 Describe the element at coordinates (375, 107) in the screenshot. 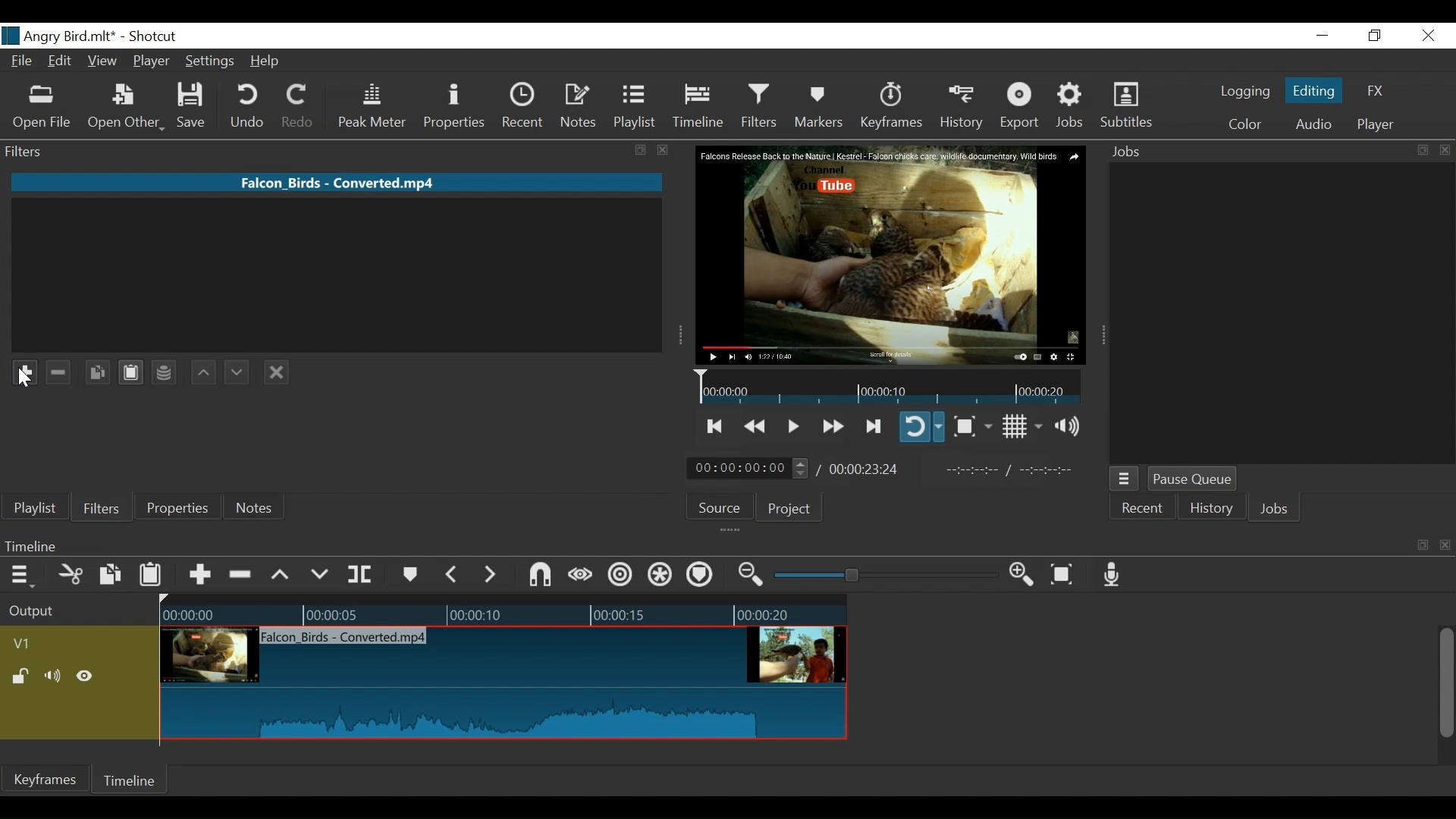

I see `Peak Meter` at that location.